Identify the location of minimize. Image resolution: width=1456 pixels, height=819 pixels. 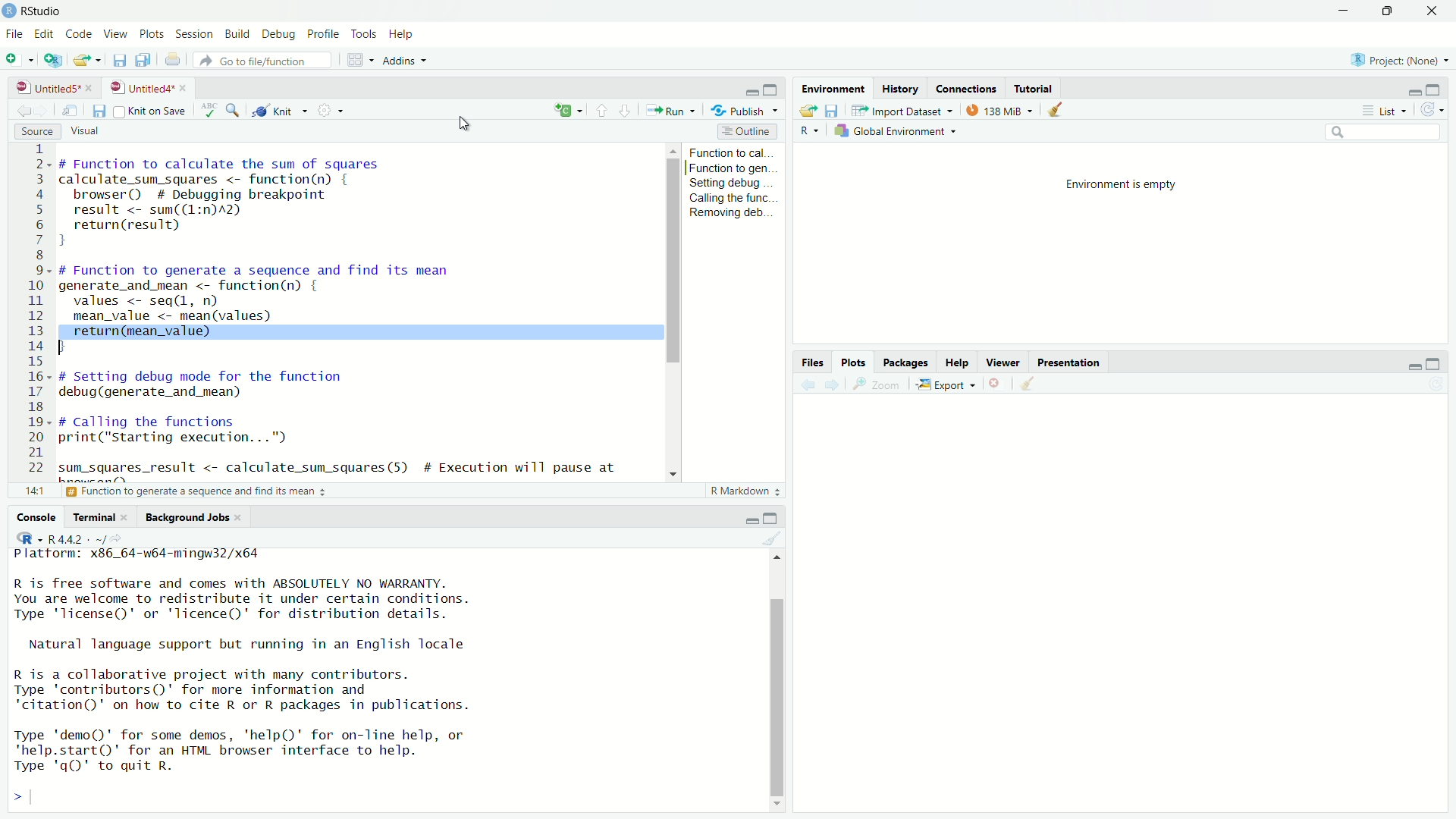
(745, 516).